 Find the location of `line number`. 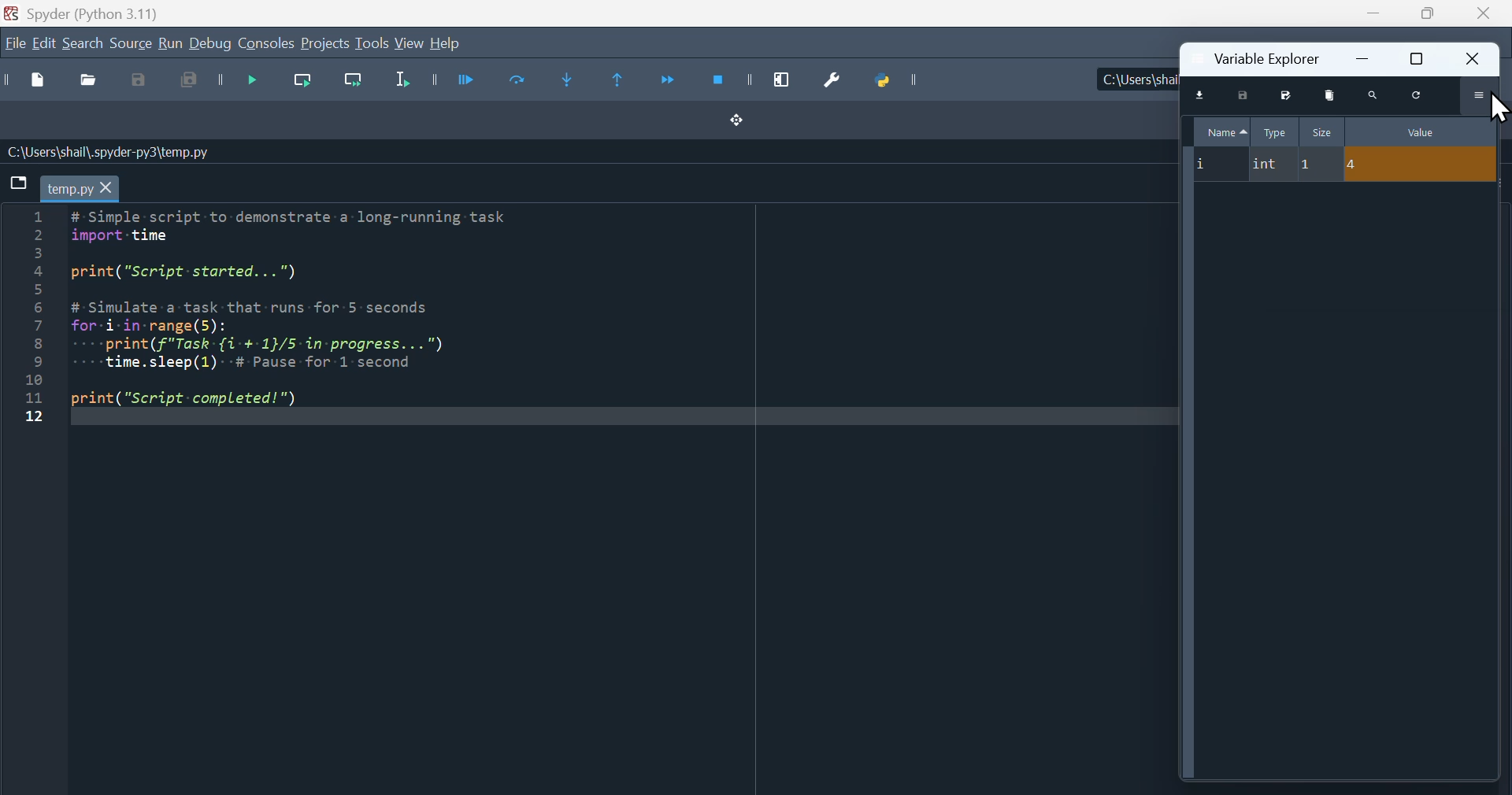

line number is located at coordinates (31, 317).